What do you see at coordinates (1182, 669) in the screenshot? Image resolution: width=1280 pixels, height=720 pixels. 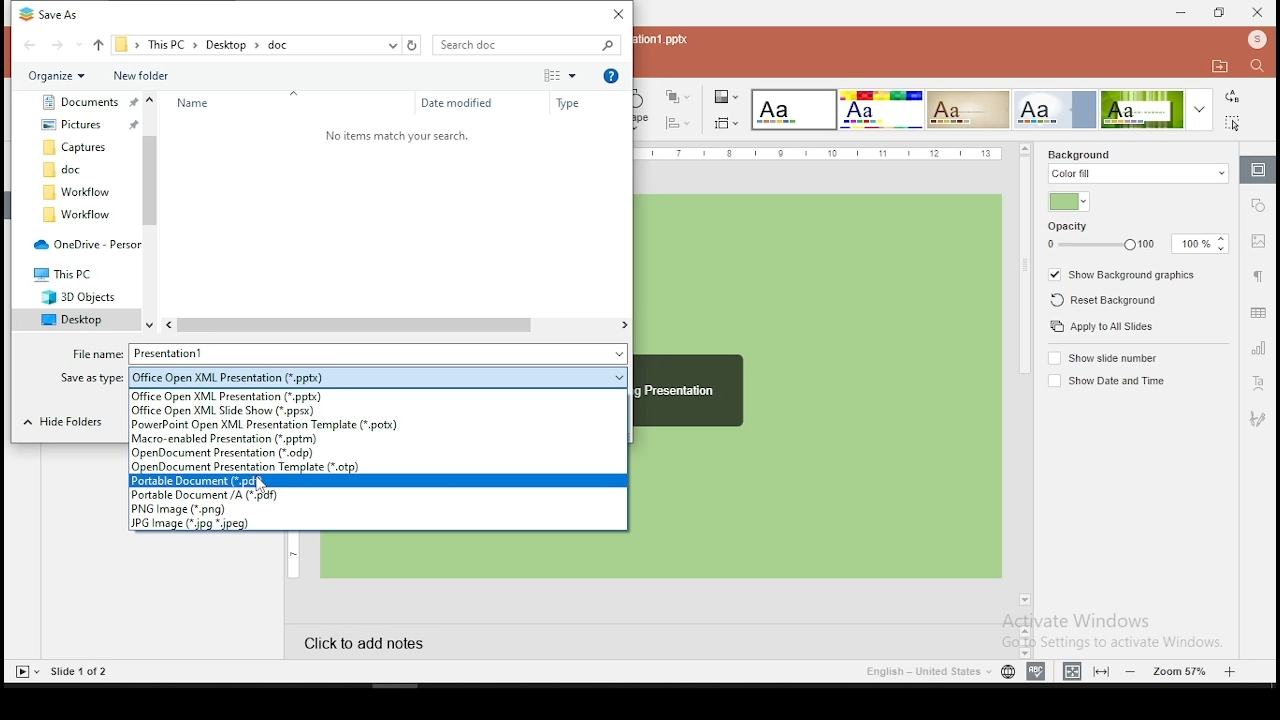 I see `zoom in/zoom out` at bounding box center [1182, 669].